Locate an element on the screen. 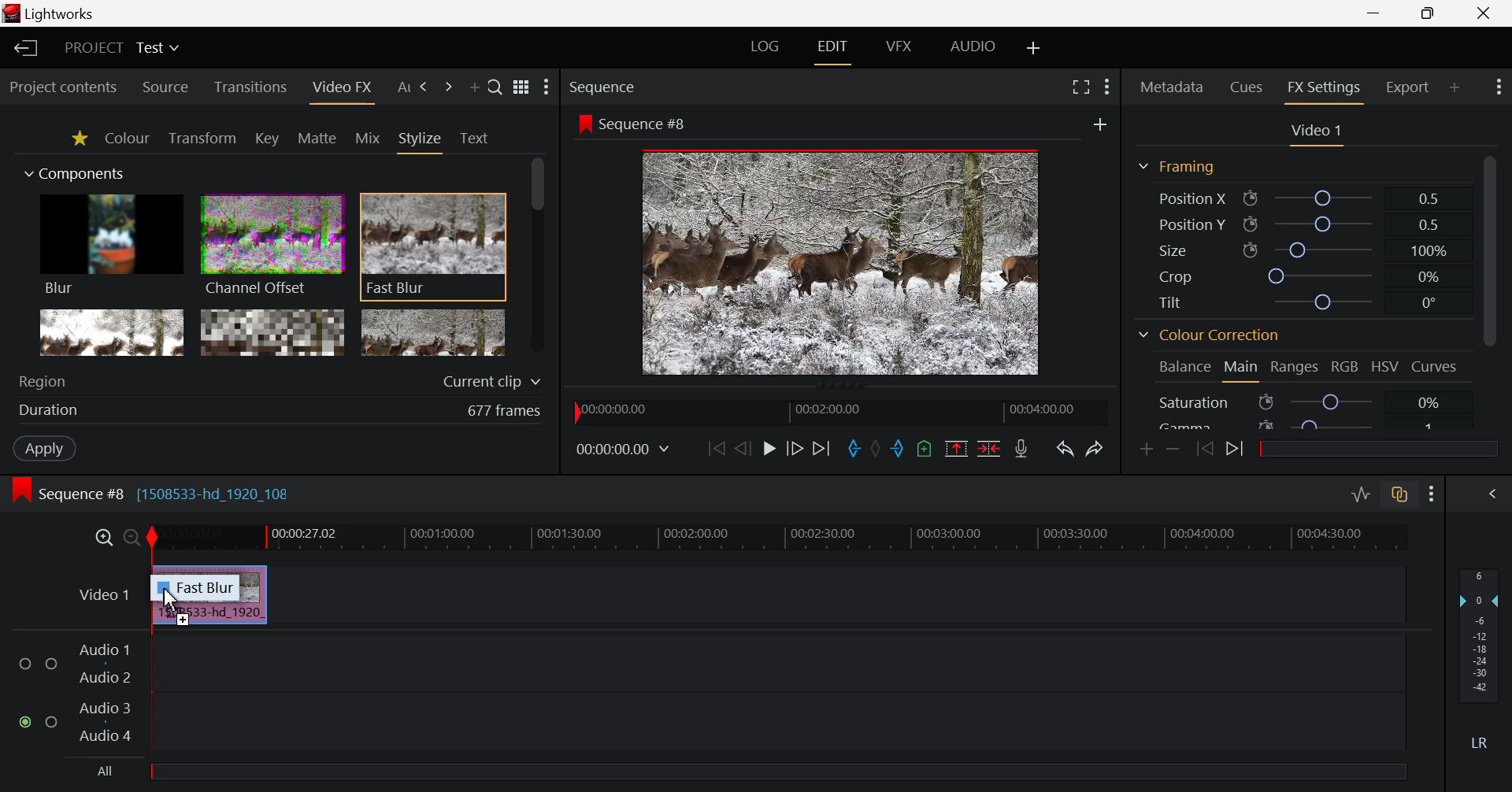 The height and width of the screenshot is (792, 1512). Audio Input Fields is located at coordinates (704, 694).